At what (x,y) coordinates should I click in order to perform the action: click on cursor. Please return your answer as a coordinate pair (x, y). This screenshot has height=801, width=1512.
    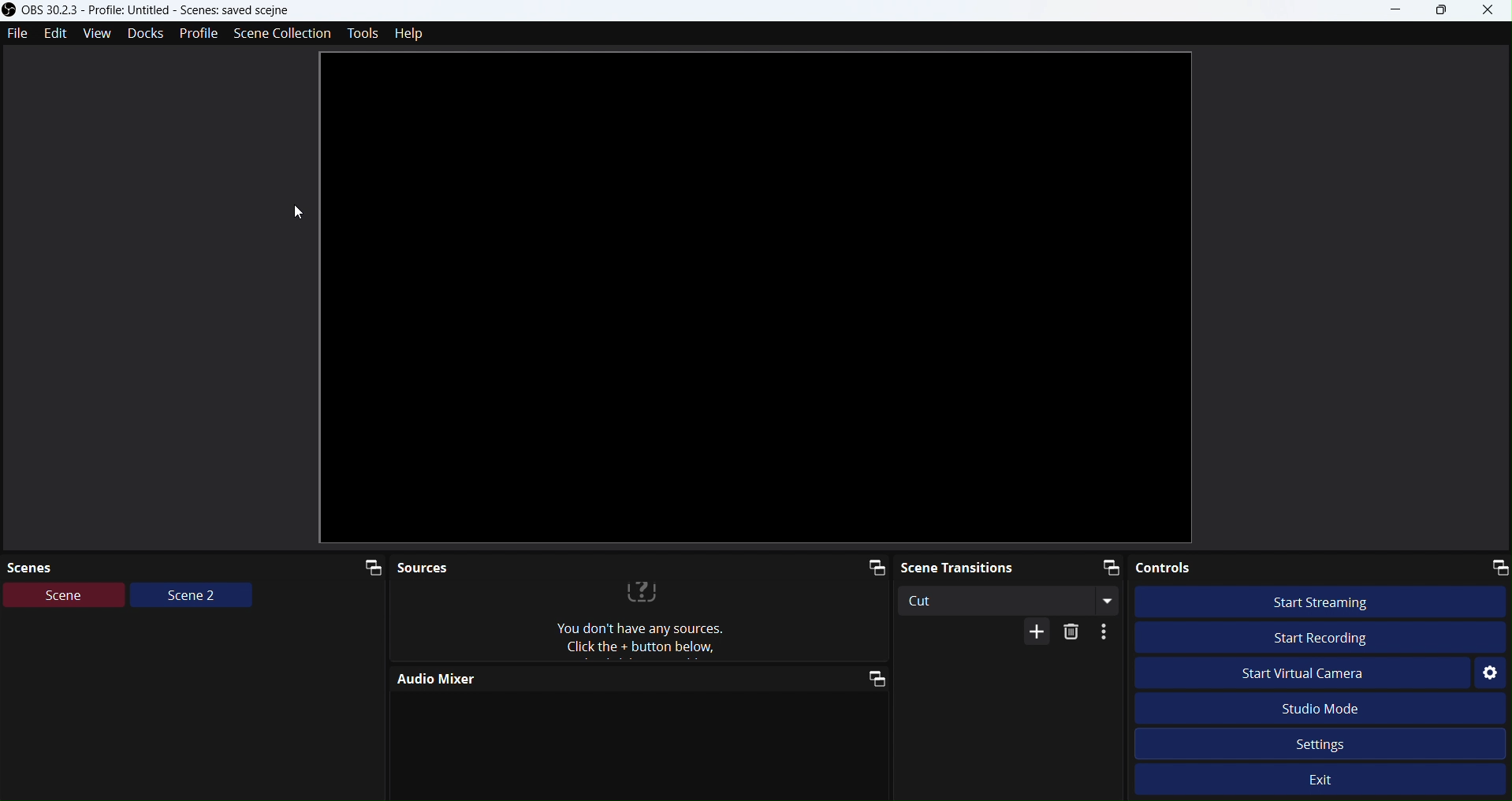
    Looking at the image, I should click on (295, 210).